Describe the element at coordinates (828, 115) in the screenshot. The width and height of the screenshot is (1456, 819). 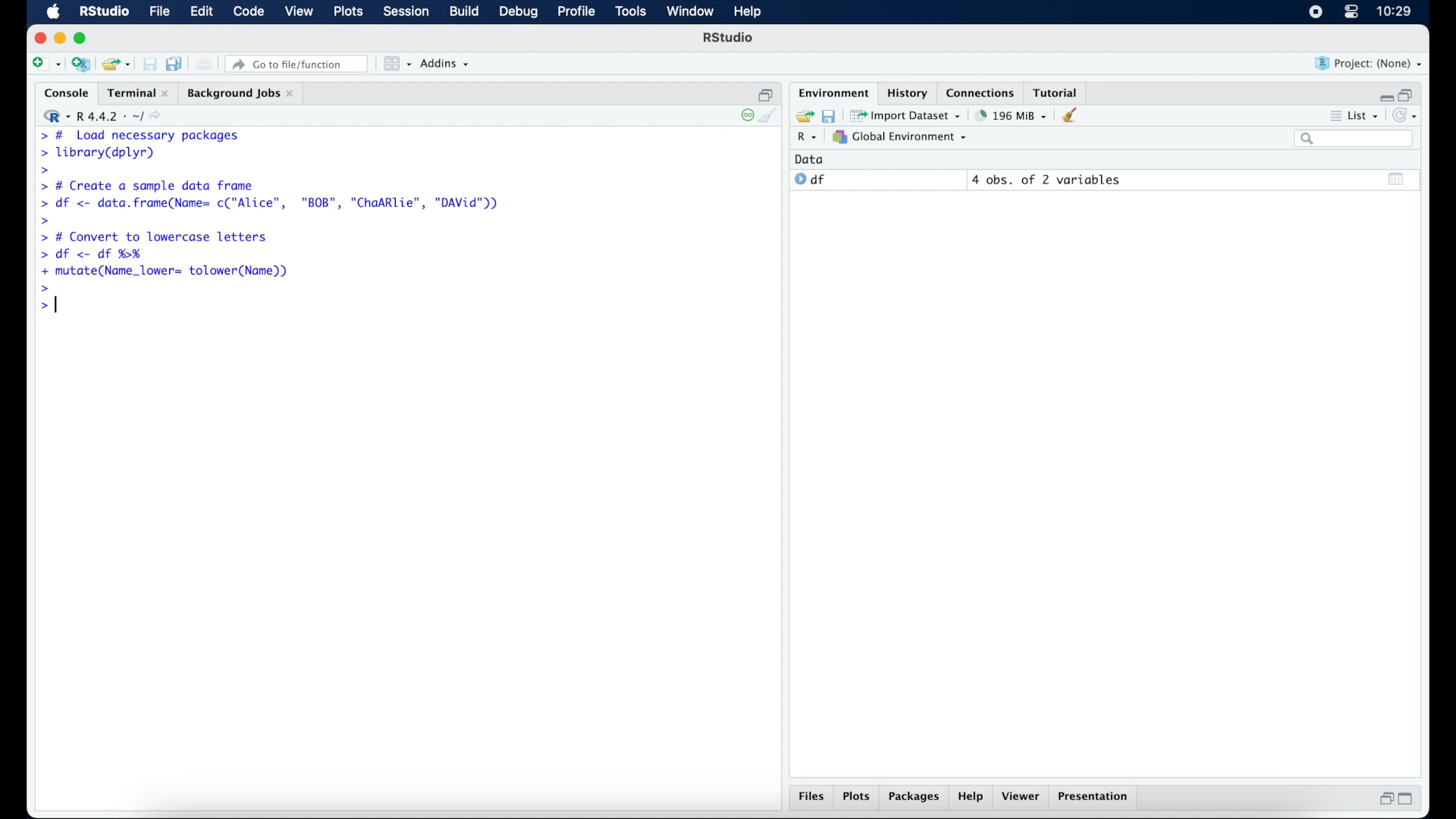
I see `save` at that location.